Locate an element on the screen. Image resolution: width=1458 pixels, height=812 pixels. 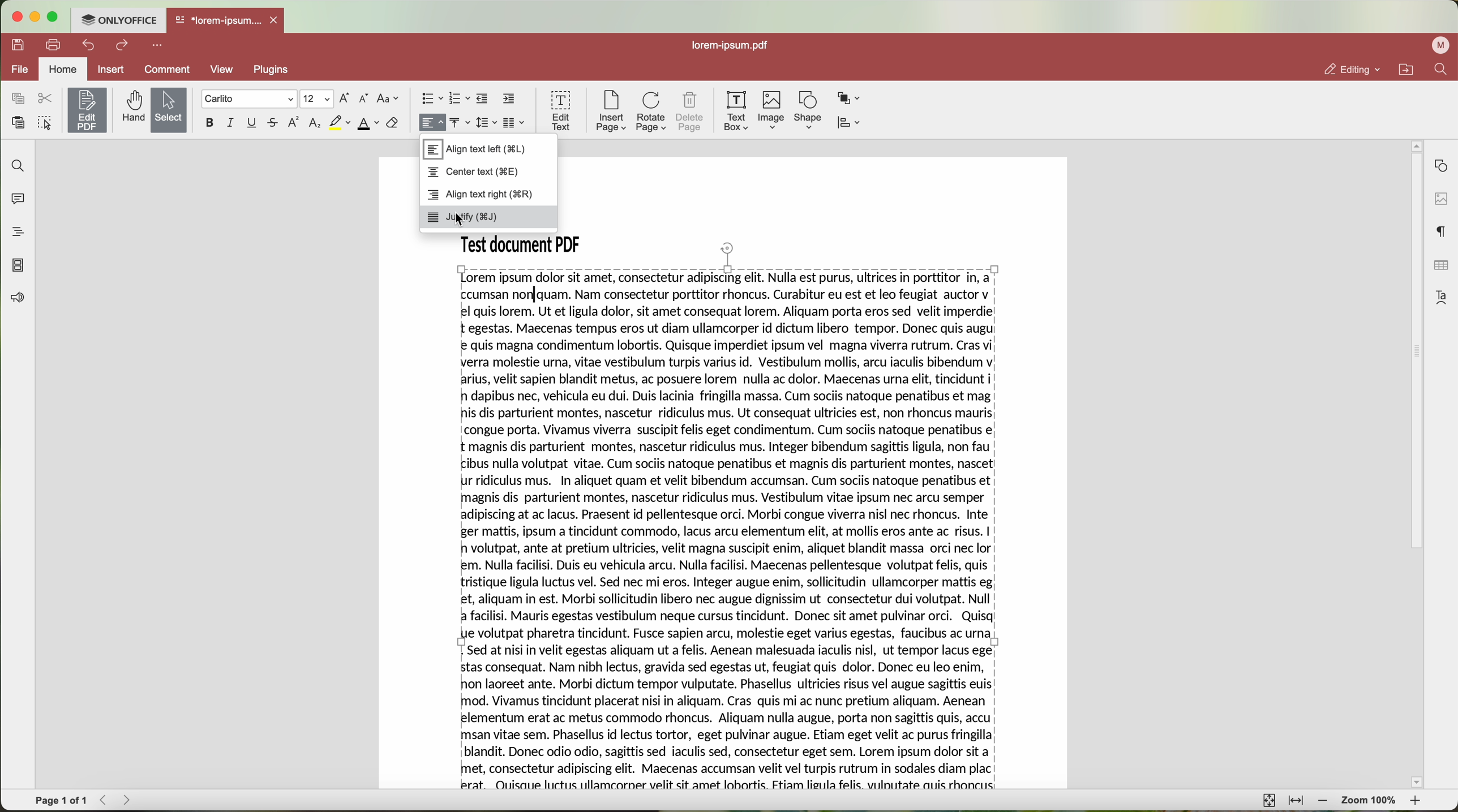
increment font size is located at coordinates (345, 98).